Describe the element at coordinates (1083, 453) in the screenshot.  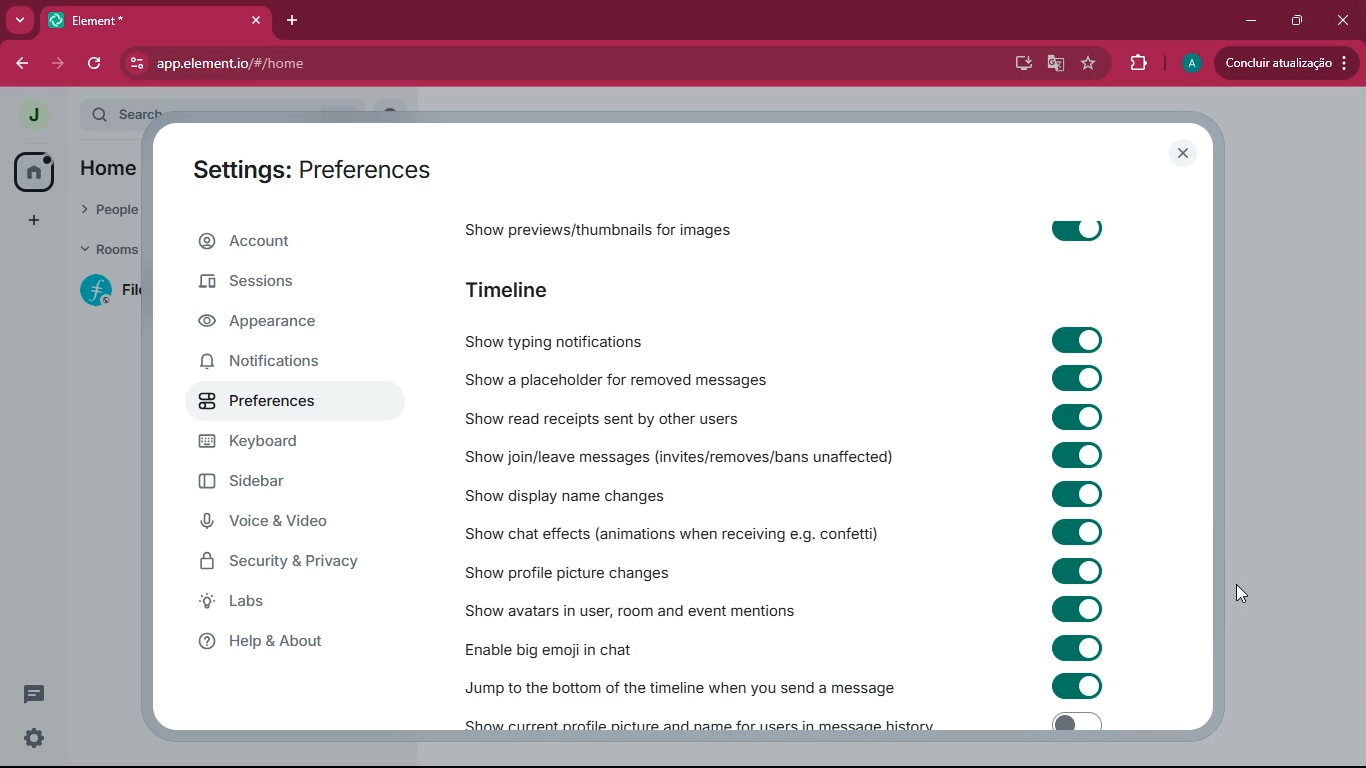
I see `toggle on ` at that location.